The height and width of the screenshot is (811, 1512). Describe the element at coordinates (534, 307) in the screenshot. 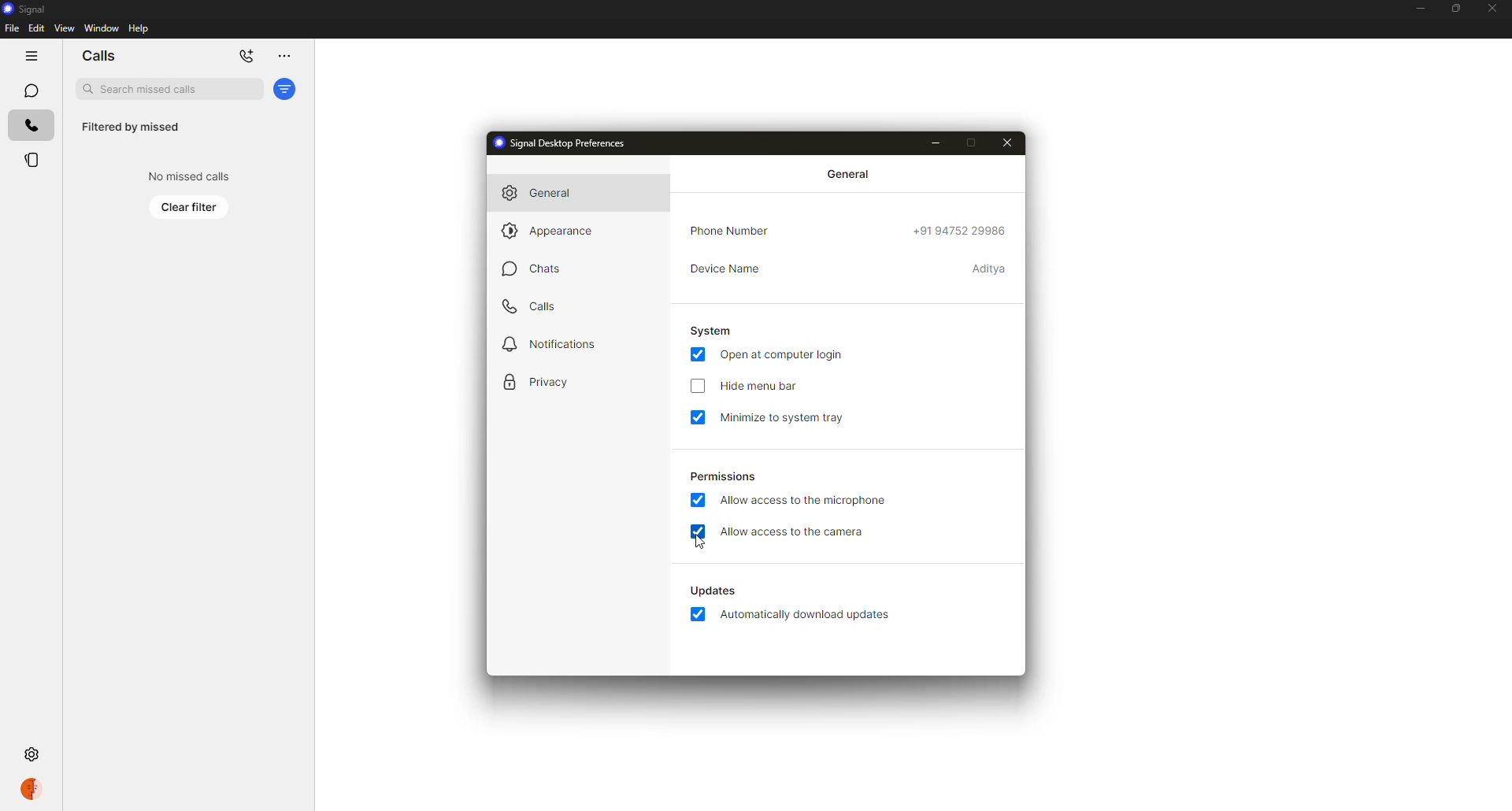

I see `calls` at that location.